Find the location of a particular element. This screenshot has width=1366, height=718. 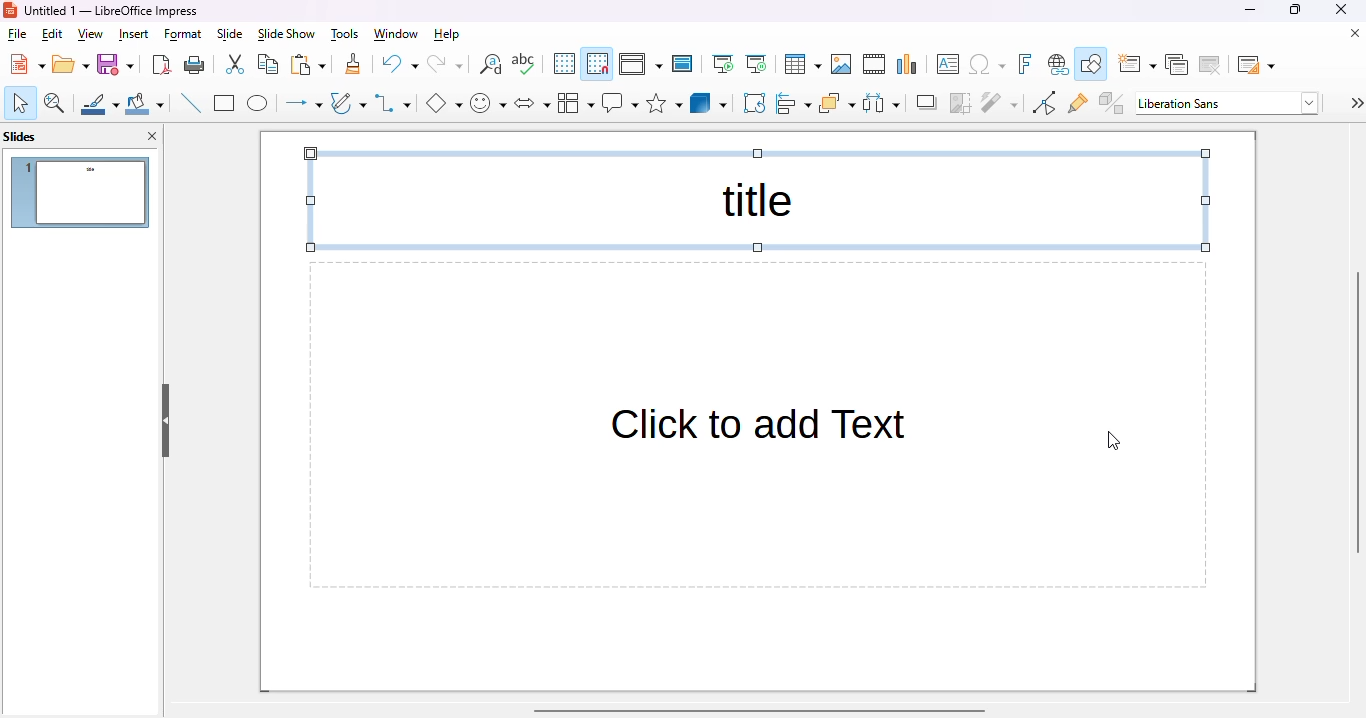

connectors is located at coordinates (393, 103).